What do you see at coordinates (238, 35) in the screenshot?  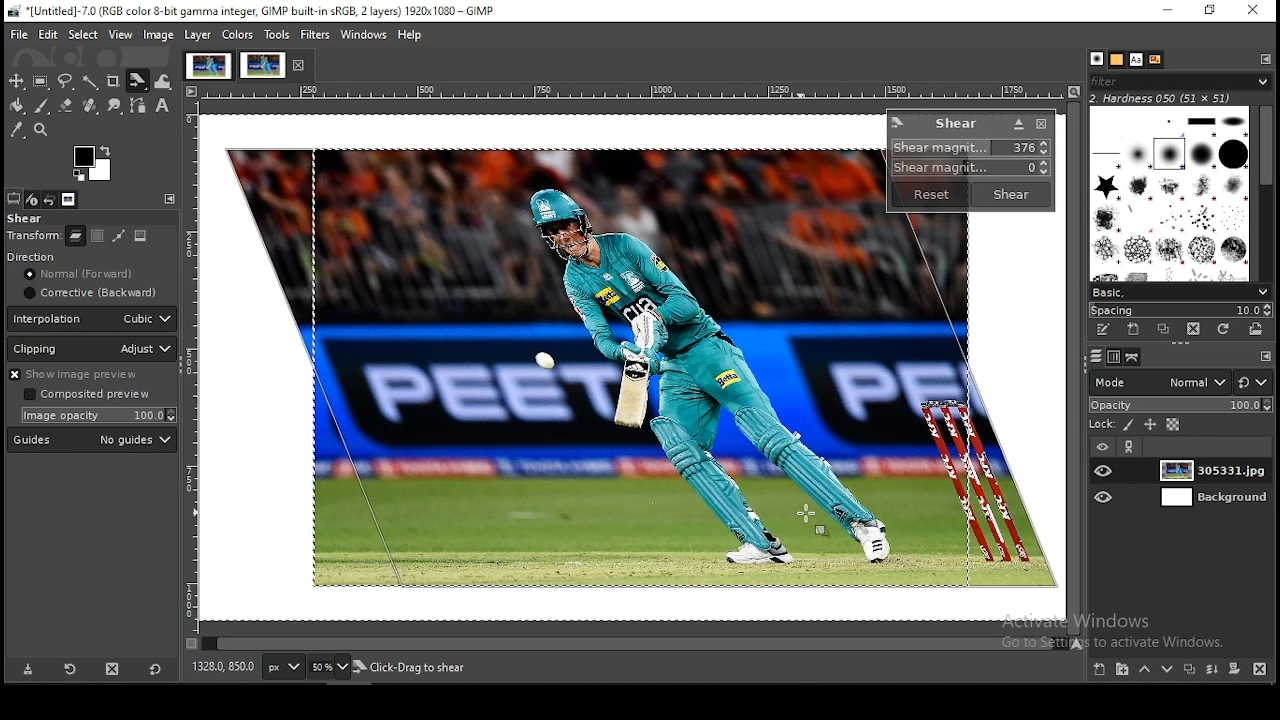 I see `colors` at bounding box center [238, 35].